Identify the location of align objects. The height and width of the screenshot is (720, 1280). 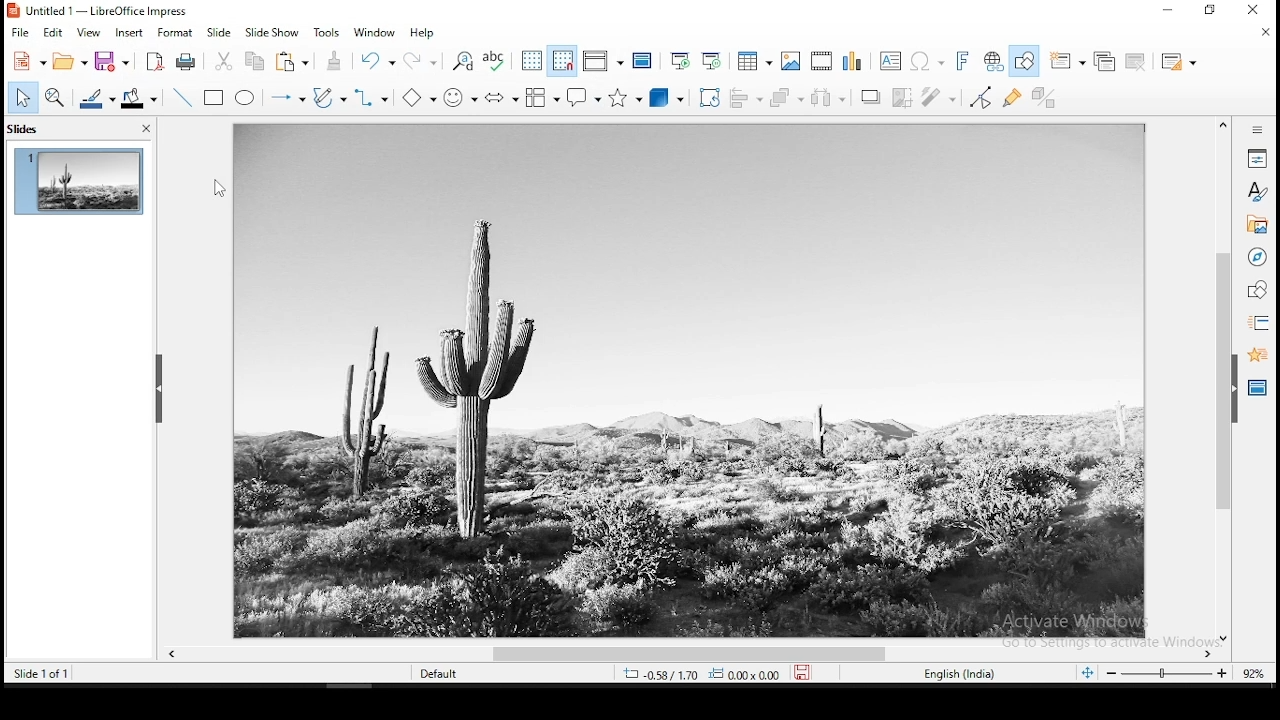
(747, 100).